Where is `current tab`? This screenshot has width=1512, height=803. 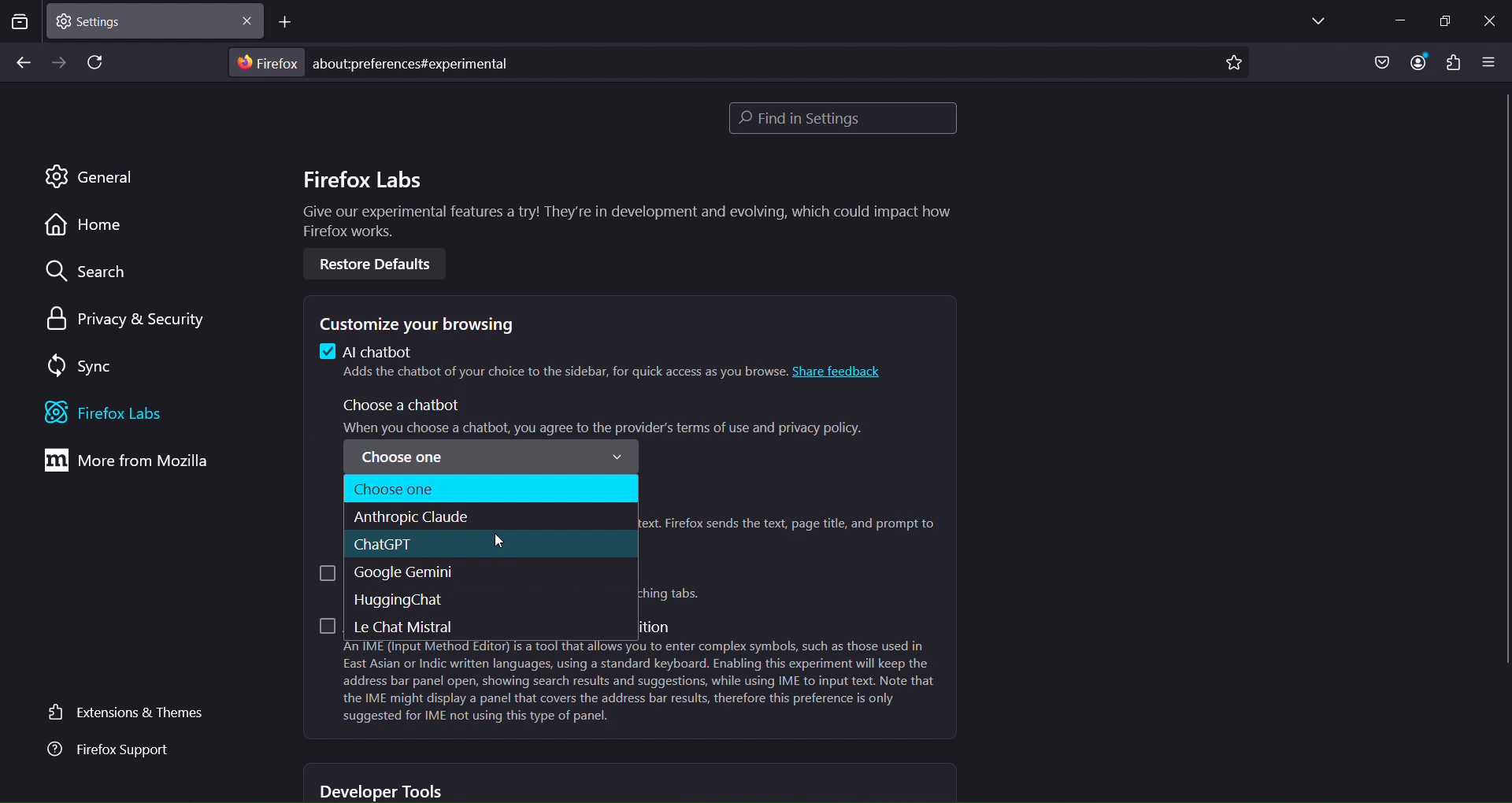
current tab is located at coordinates (104, 20).